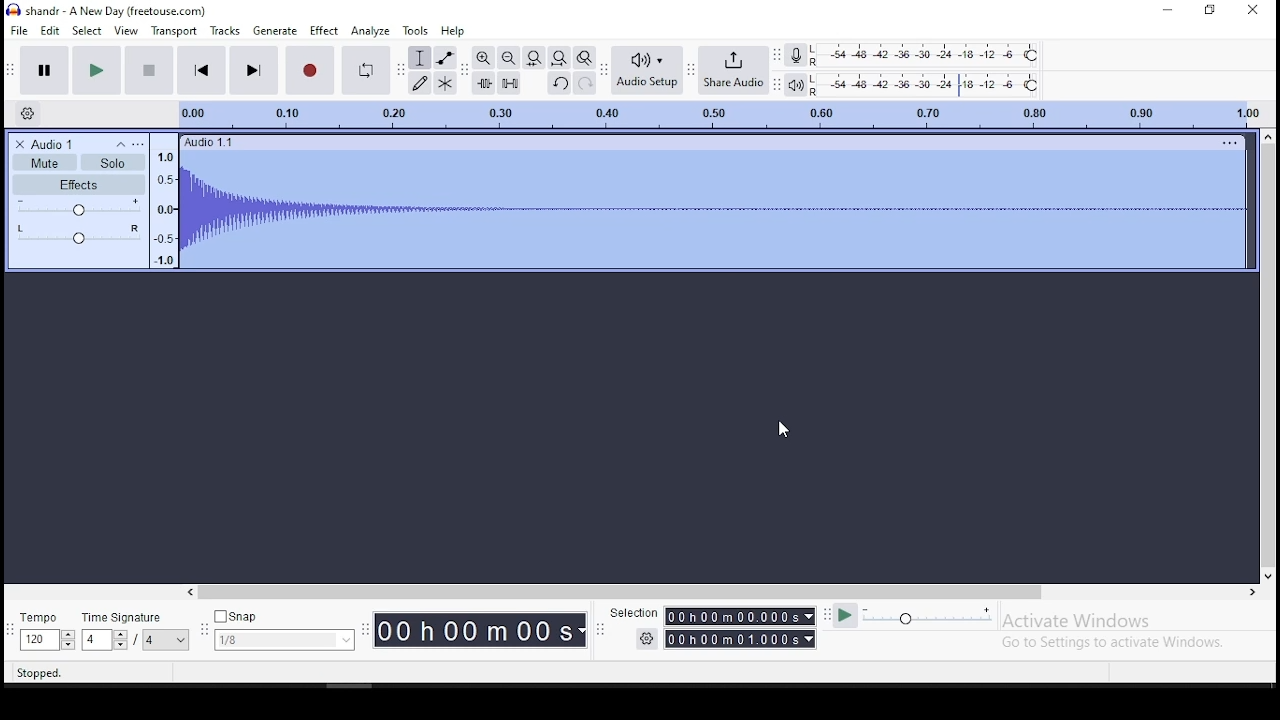  I want to click on icon and file name, so click(107, 11).